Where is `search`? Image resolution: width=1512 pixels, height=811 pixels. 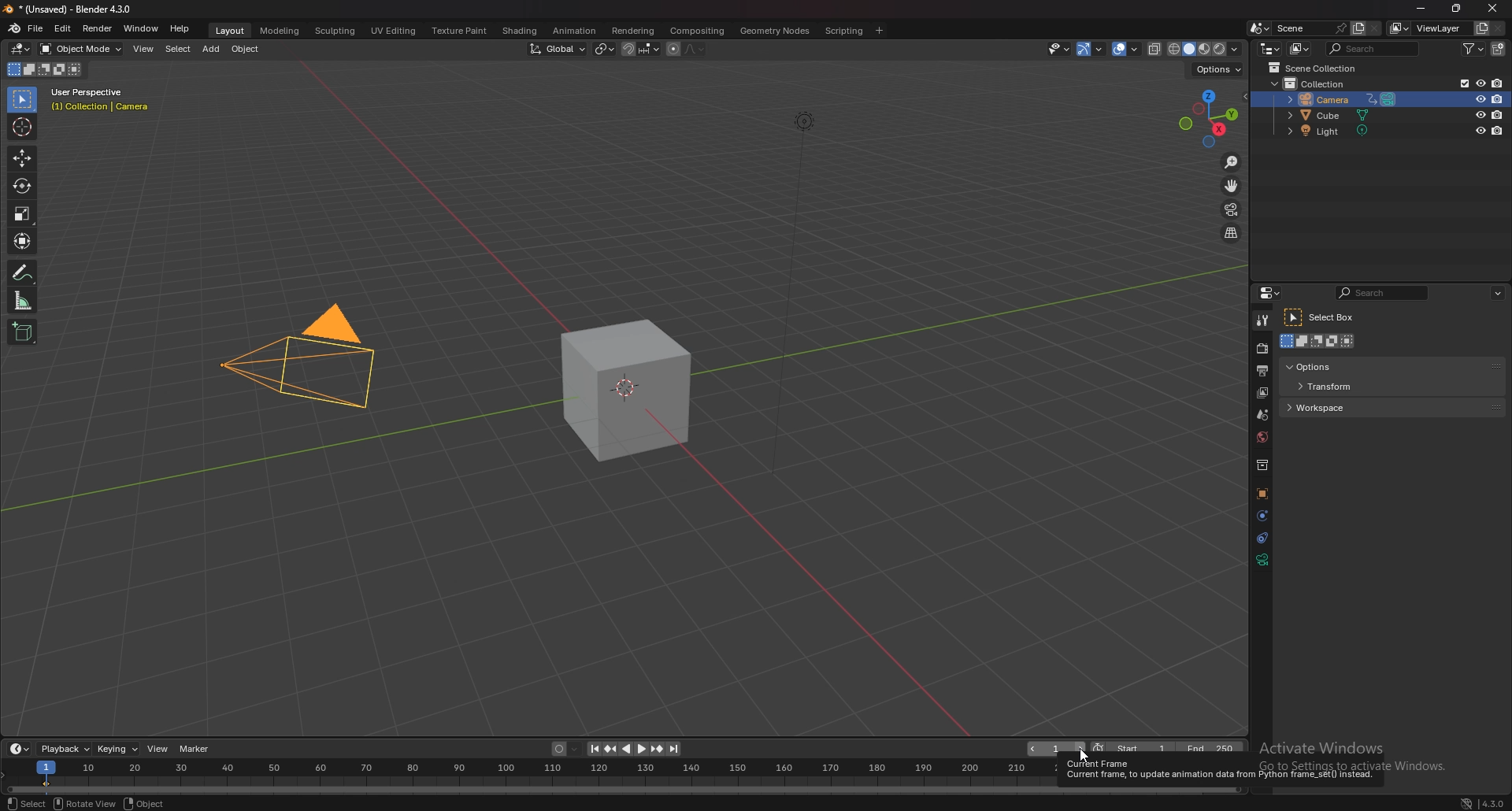
search is located at coordinates (1381, 292).